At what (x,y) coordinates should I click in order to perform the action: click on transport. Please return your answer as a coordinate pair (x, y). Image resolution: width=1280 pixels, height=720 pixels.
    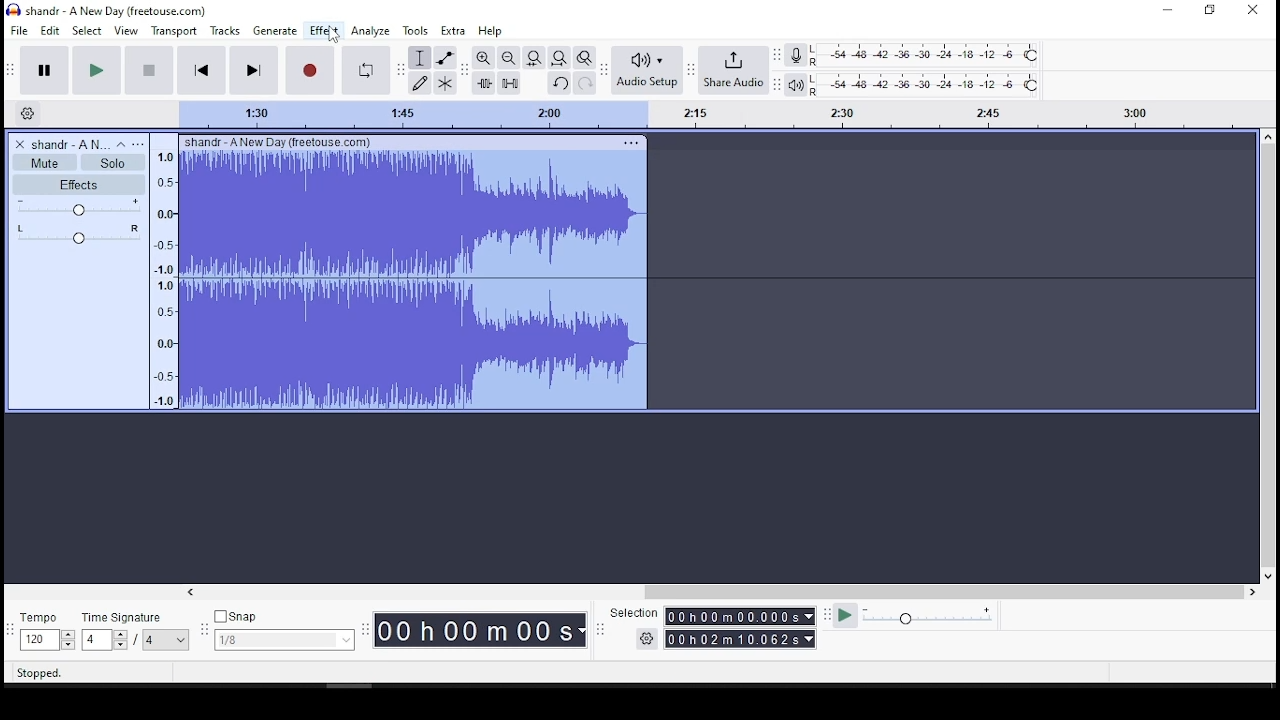
    Looking at the image, I should click on (174, 30).